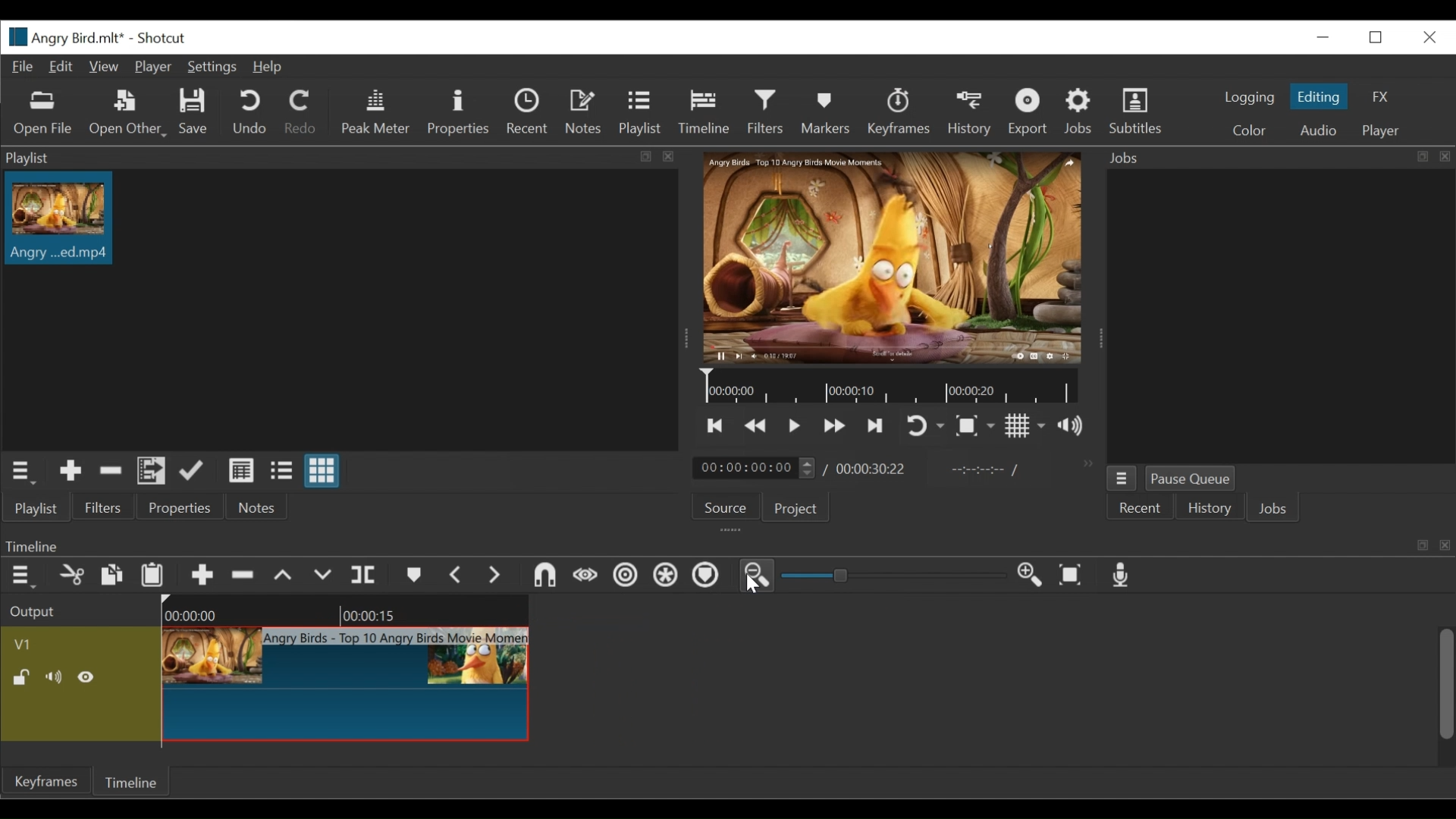 Image resolution: width=1456 pixels, height=819 pixels. What do you see at coordinates (1276, 156) in the screenshot?
I see `Jobs` at bounding box center [1276, 156].